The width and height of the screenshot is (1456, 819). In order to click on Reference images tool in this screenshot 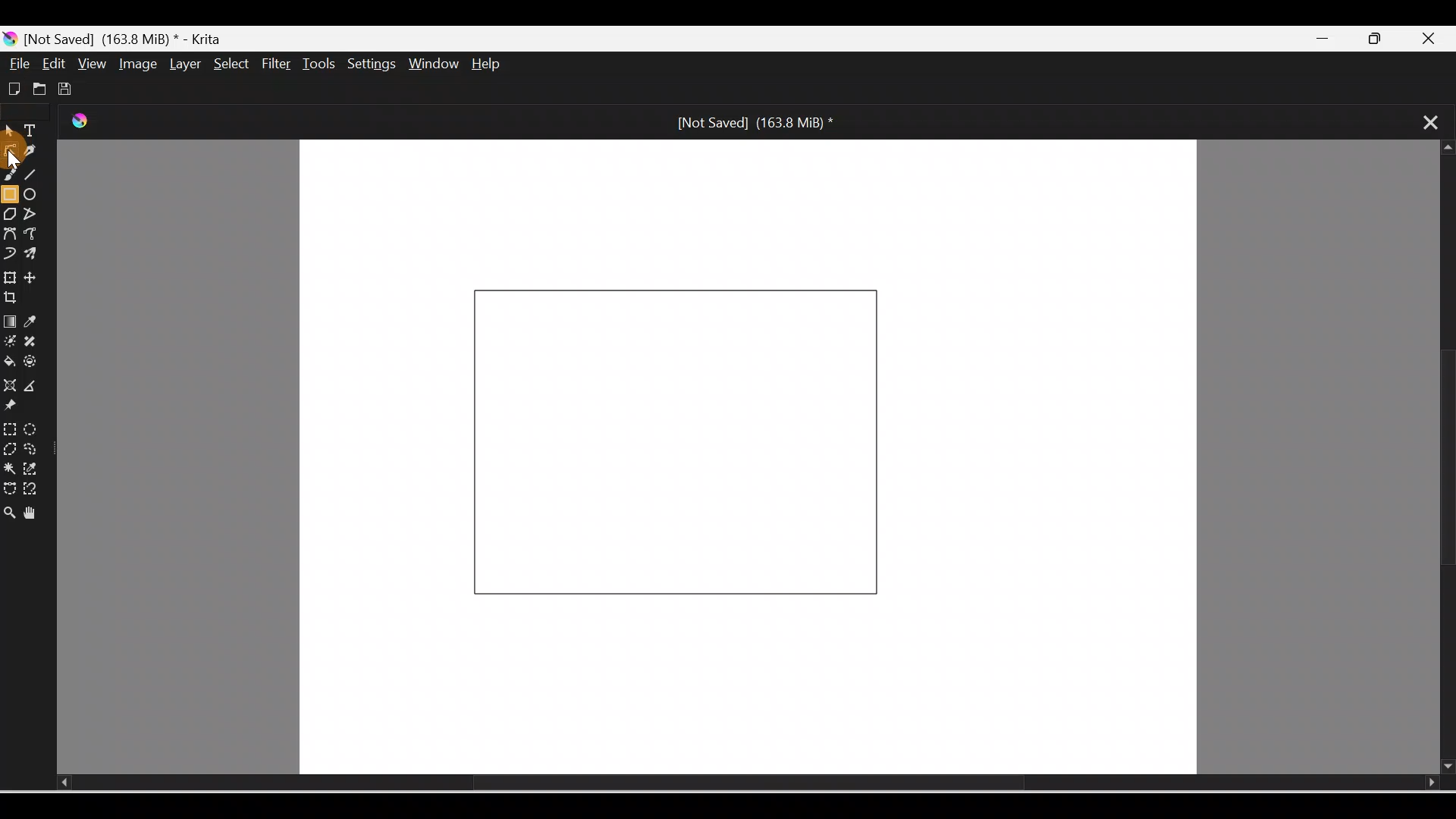, I will do `click(19, 408)`.